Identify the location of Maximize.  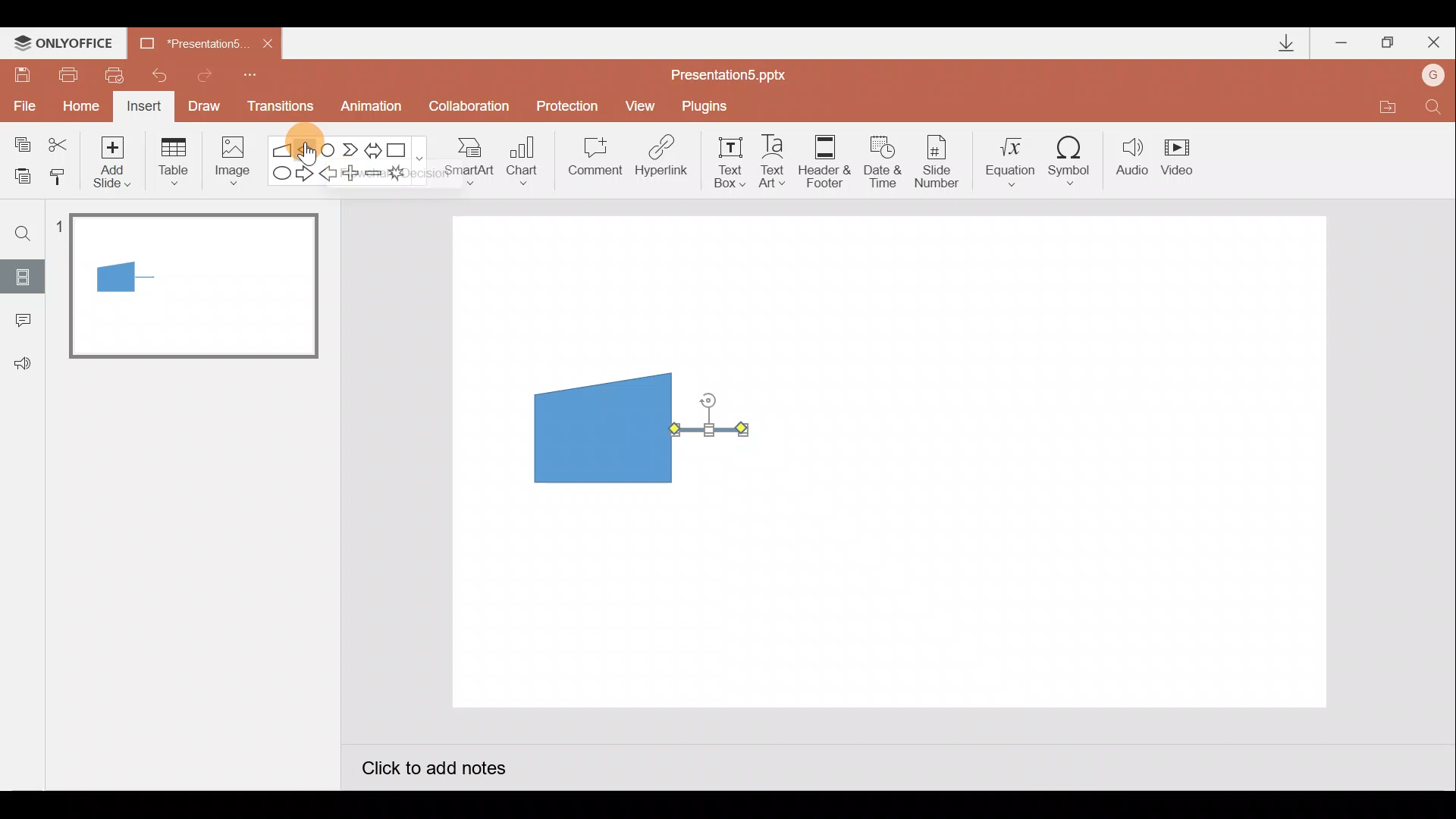
(1388, 43).